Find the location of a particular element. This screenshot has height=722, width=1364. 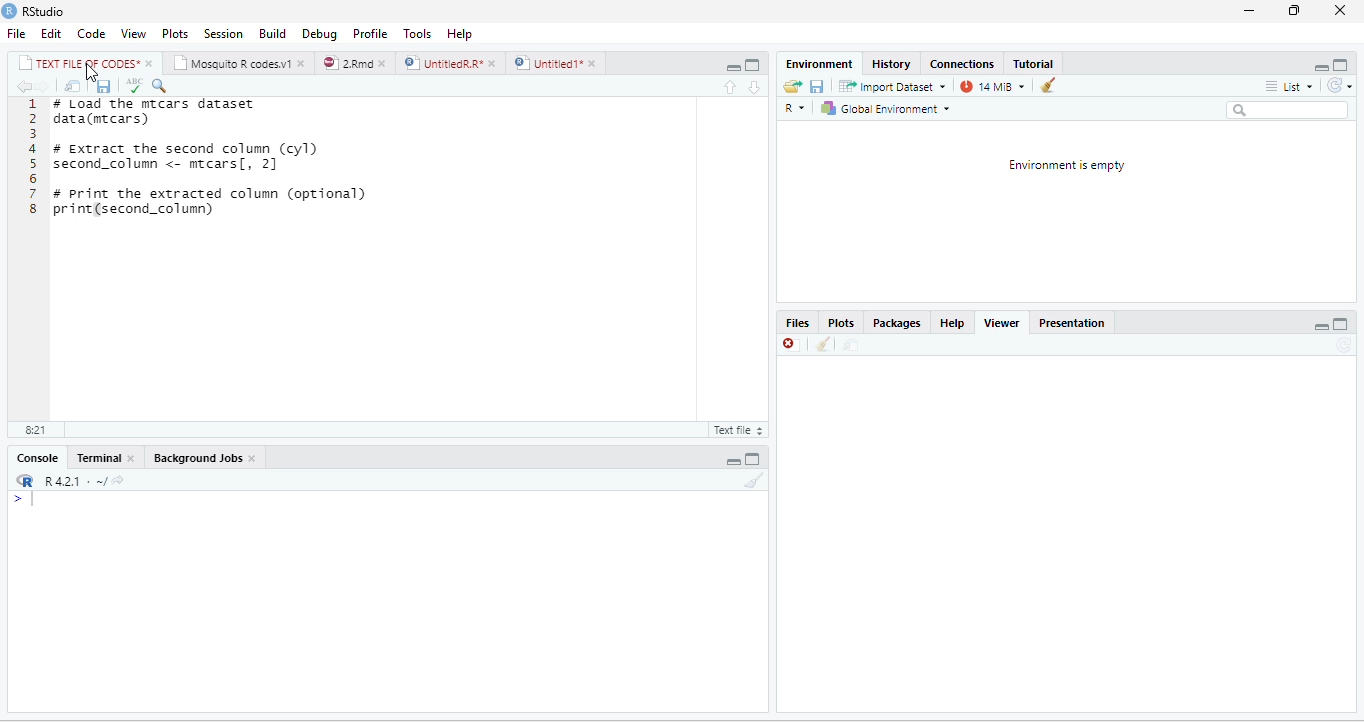

‘Connections is located at coordinates (961, 64).